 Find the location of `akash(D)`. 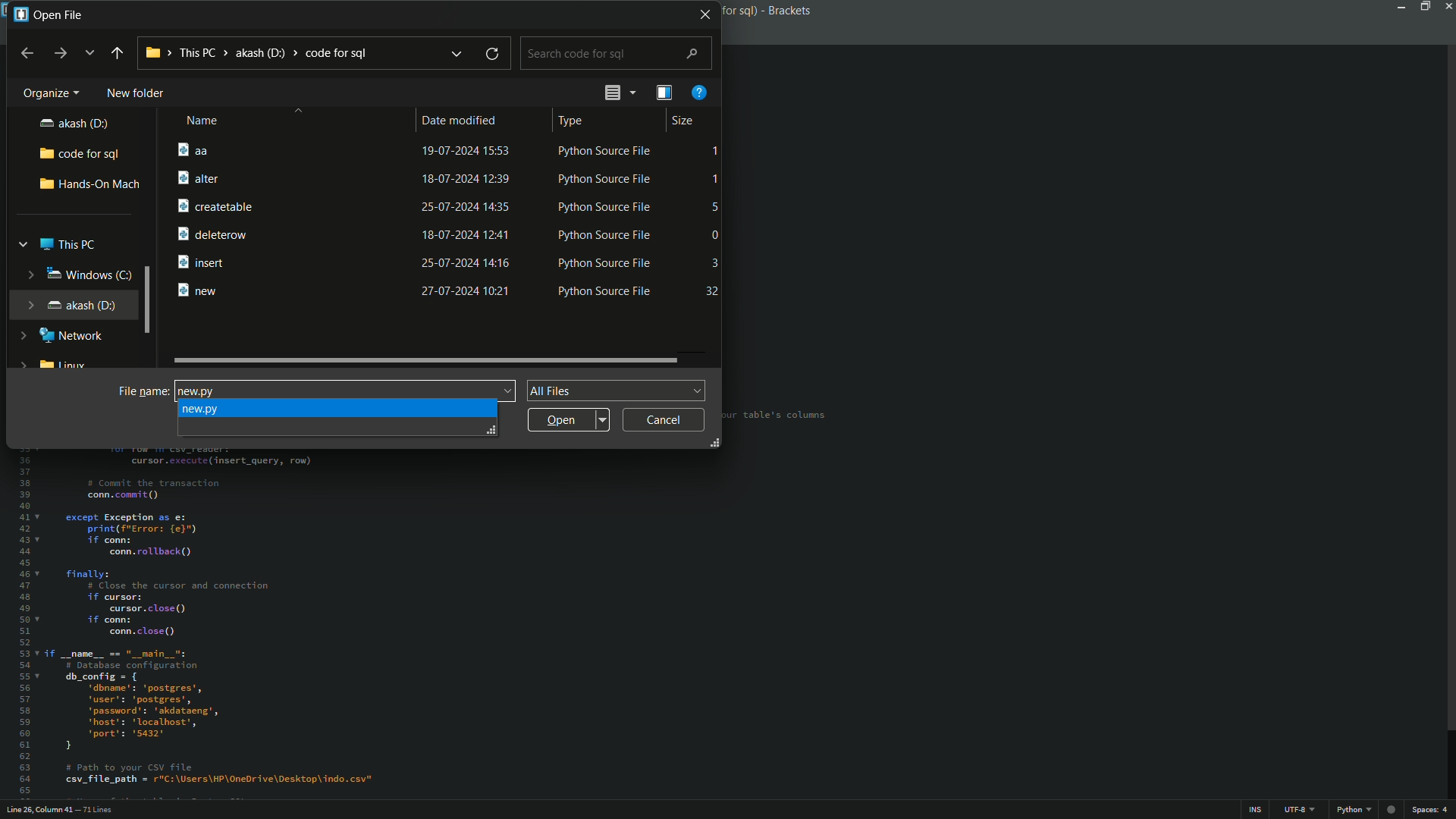

akash(D) is located at coordinates (67, 306).